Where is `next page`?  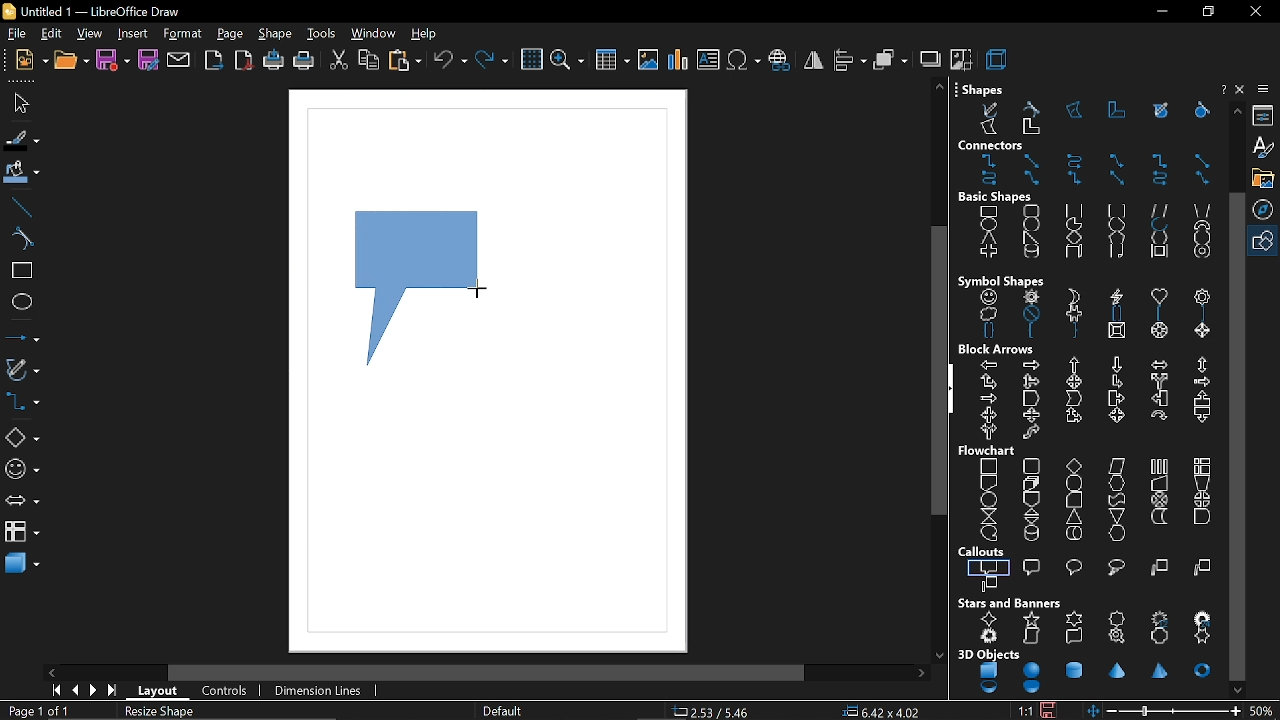
next page is located at coordinates (91, 692).